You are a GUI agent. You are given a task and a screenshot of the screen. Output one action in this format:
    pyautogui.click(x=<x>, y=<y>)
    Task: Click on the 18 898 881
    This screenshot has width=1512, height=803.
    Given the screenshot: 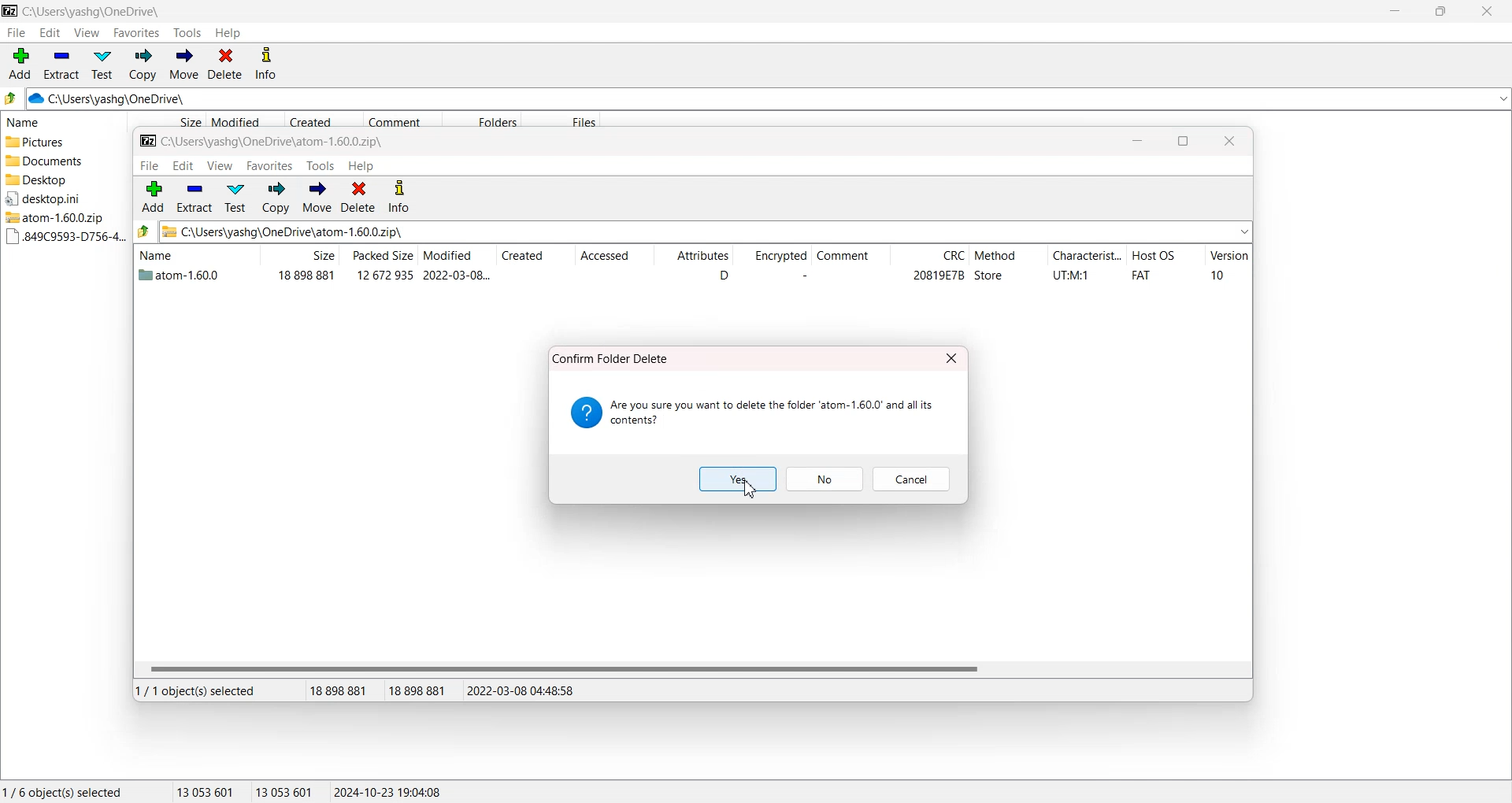 What is the action you would take?
    pyautogui.click(x=306, y=276)
    